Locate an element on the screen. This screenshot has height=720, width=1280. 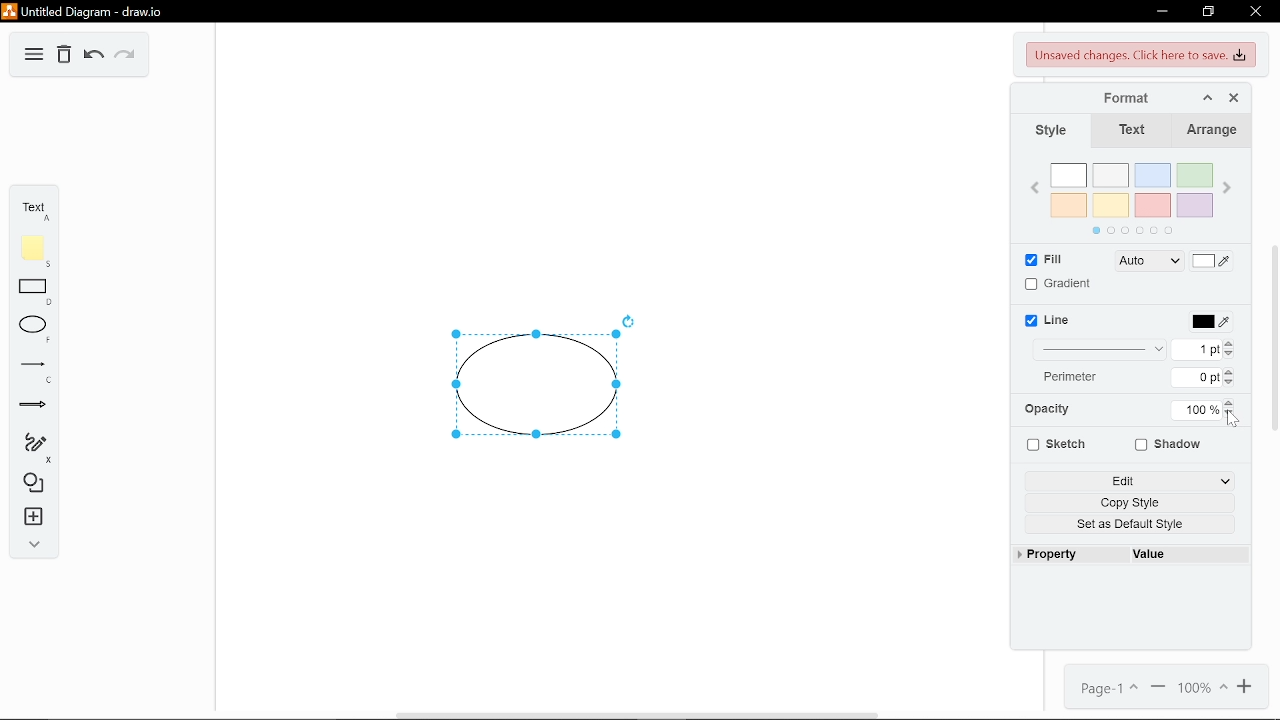
logo is located at coordinates (10, 11).